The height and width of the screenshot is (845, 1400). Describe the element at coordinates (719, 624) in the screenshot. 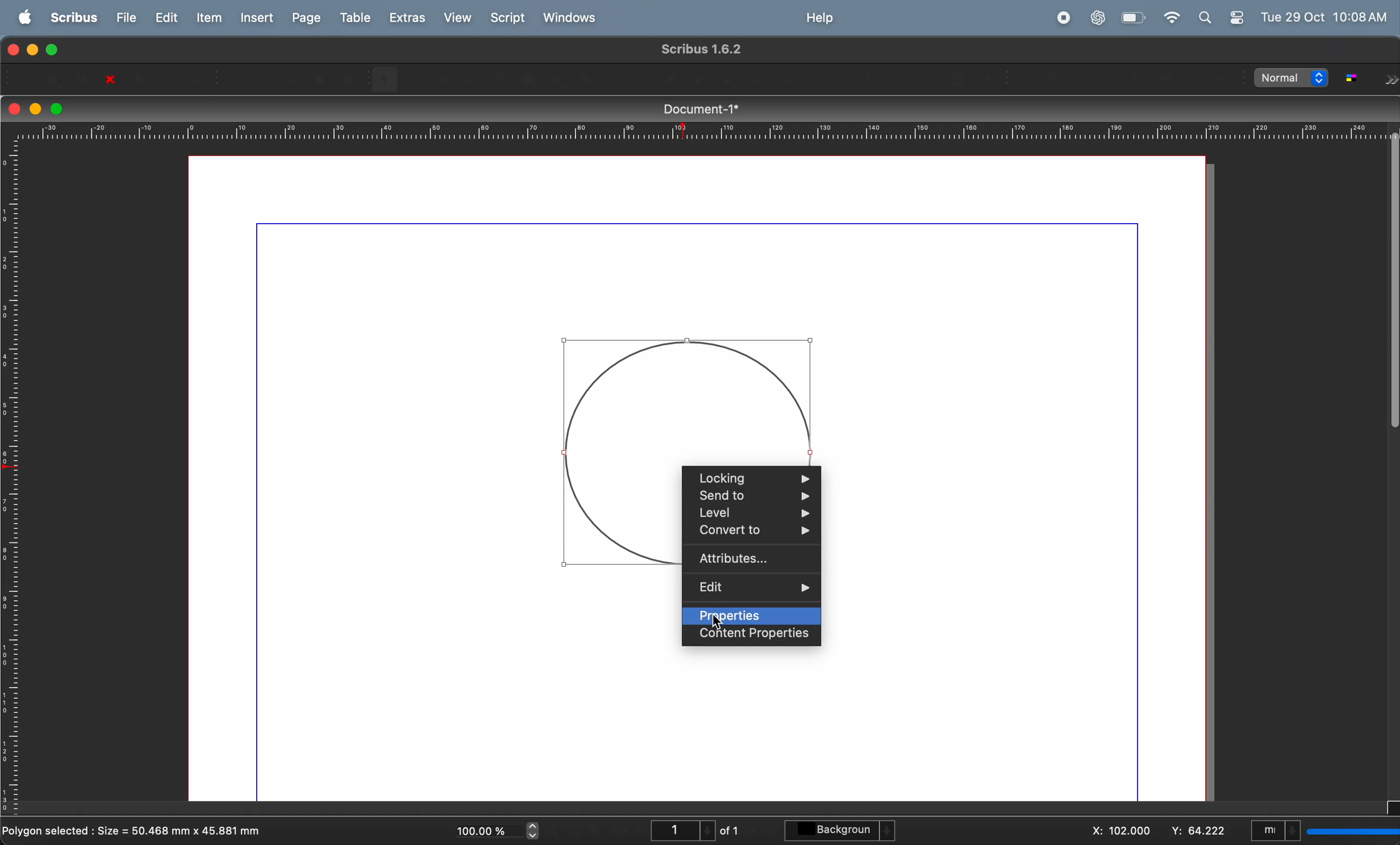

I see `Cursor` at that location.